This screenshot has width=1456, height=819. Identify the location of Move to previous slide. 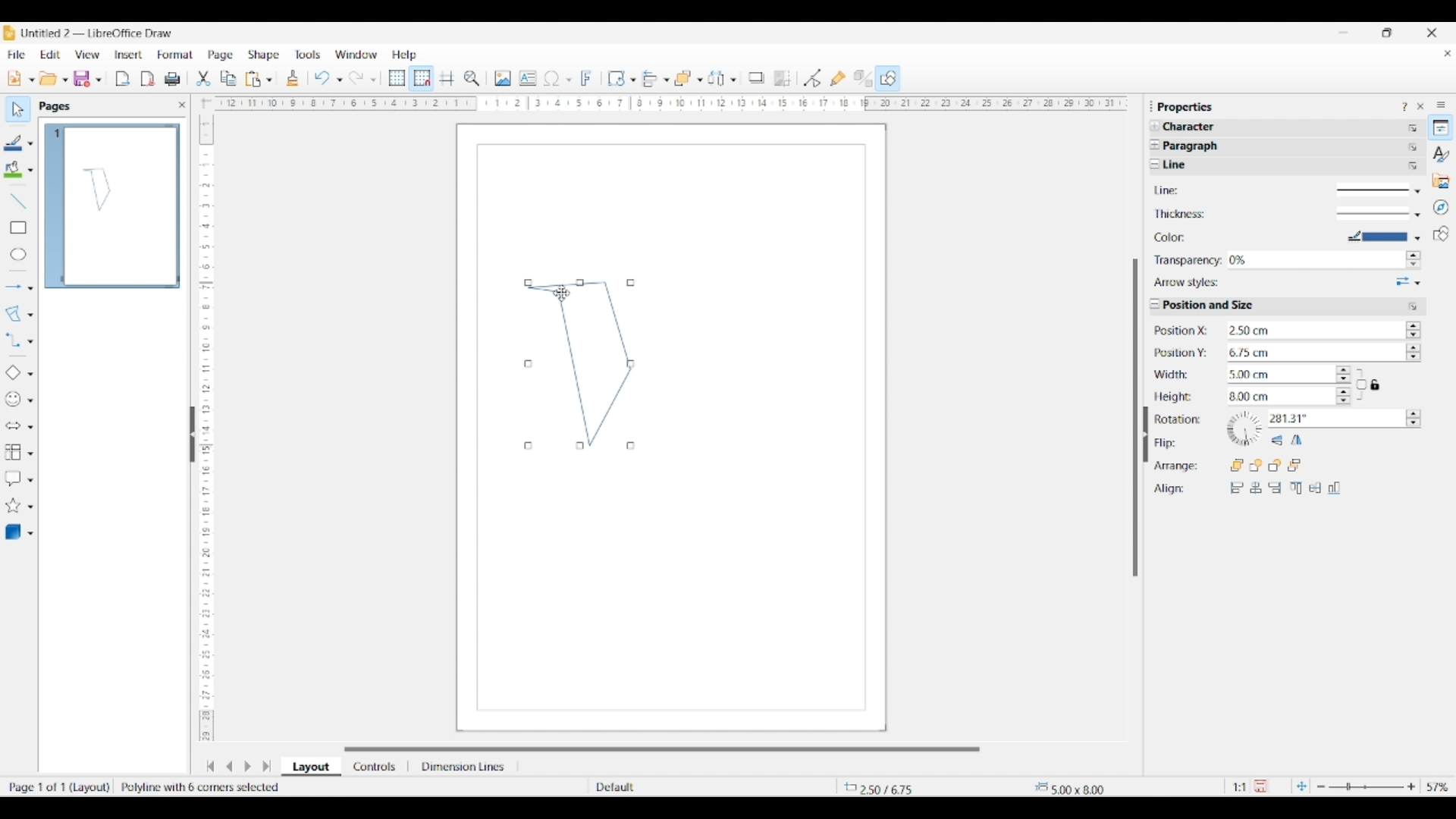
(229, 766).